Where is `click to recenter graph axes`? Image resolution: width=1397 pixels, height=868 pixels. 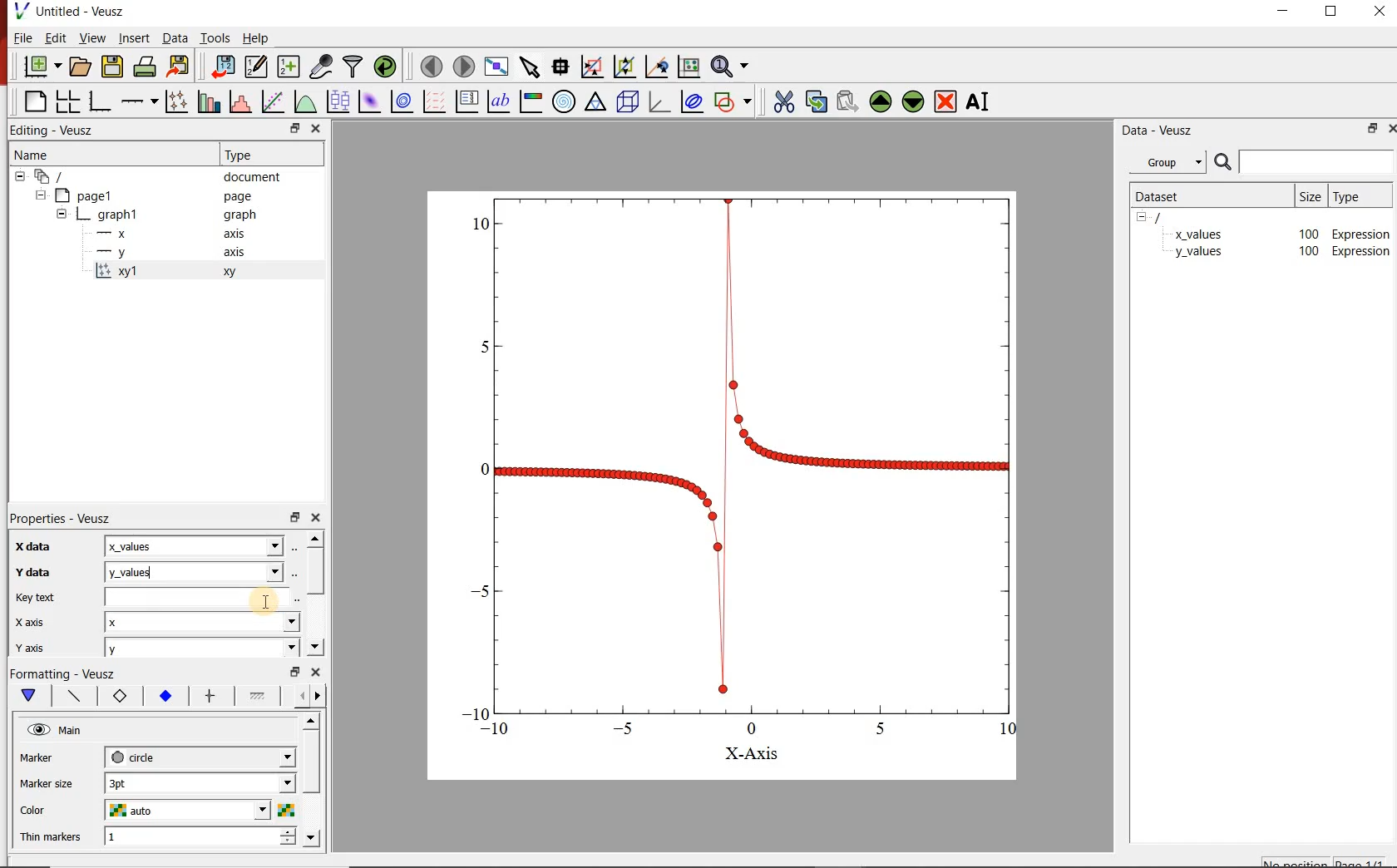
click to recenter graph axes is located at coordinates (656, 67).